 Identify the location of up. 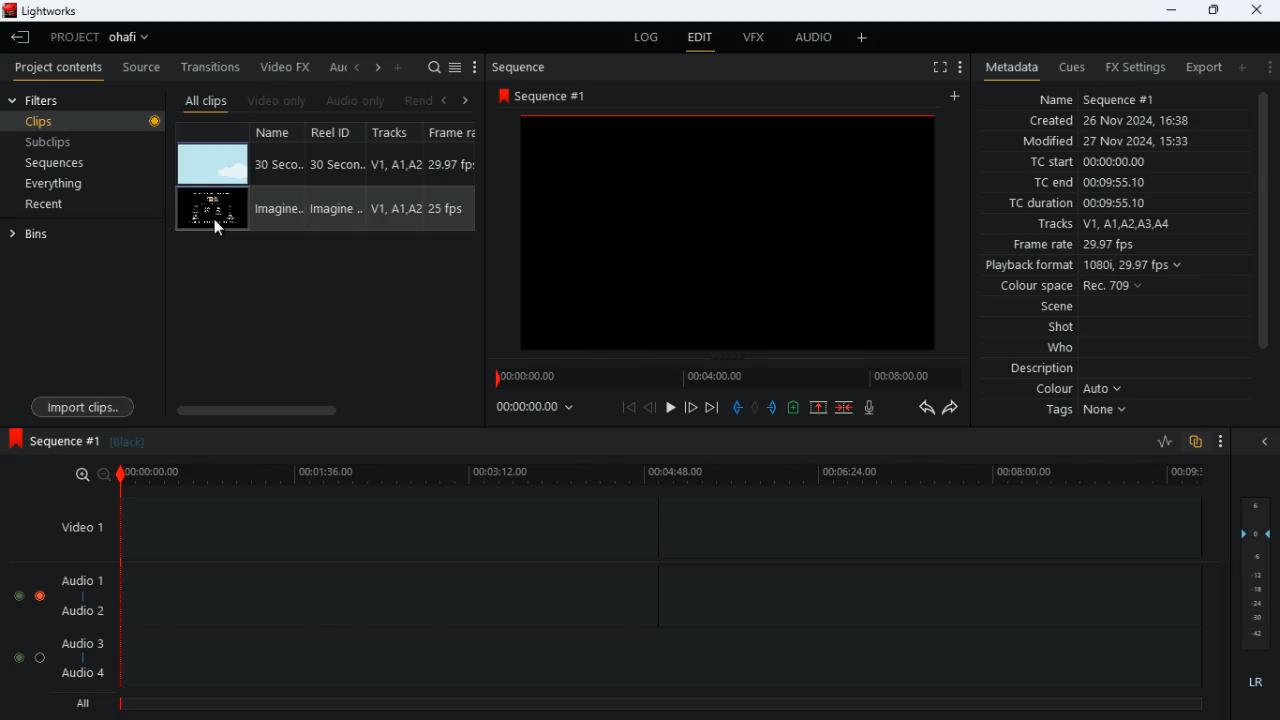
(793, 409).